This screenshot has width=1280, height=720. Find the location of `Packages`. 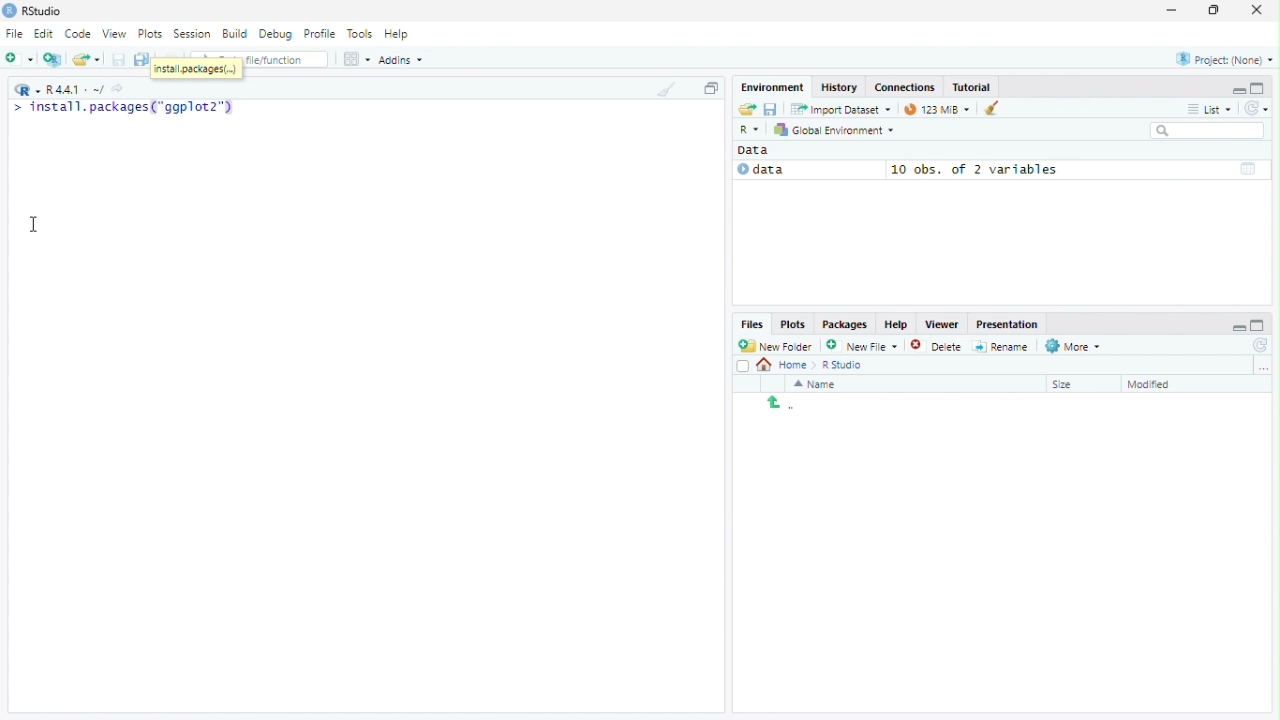

Packages is located at coordinates (845, 324).